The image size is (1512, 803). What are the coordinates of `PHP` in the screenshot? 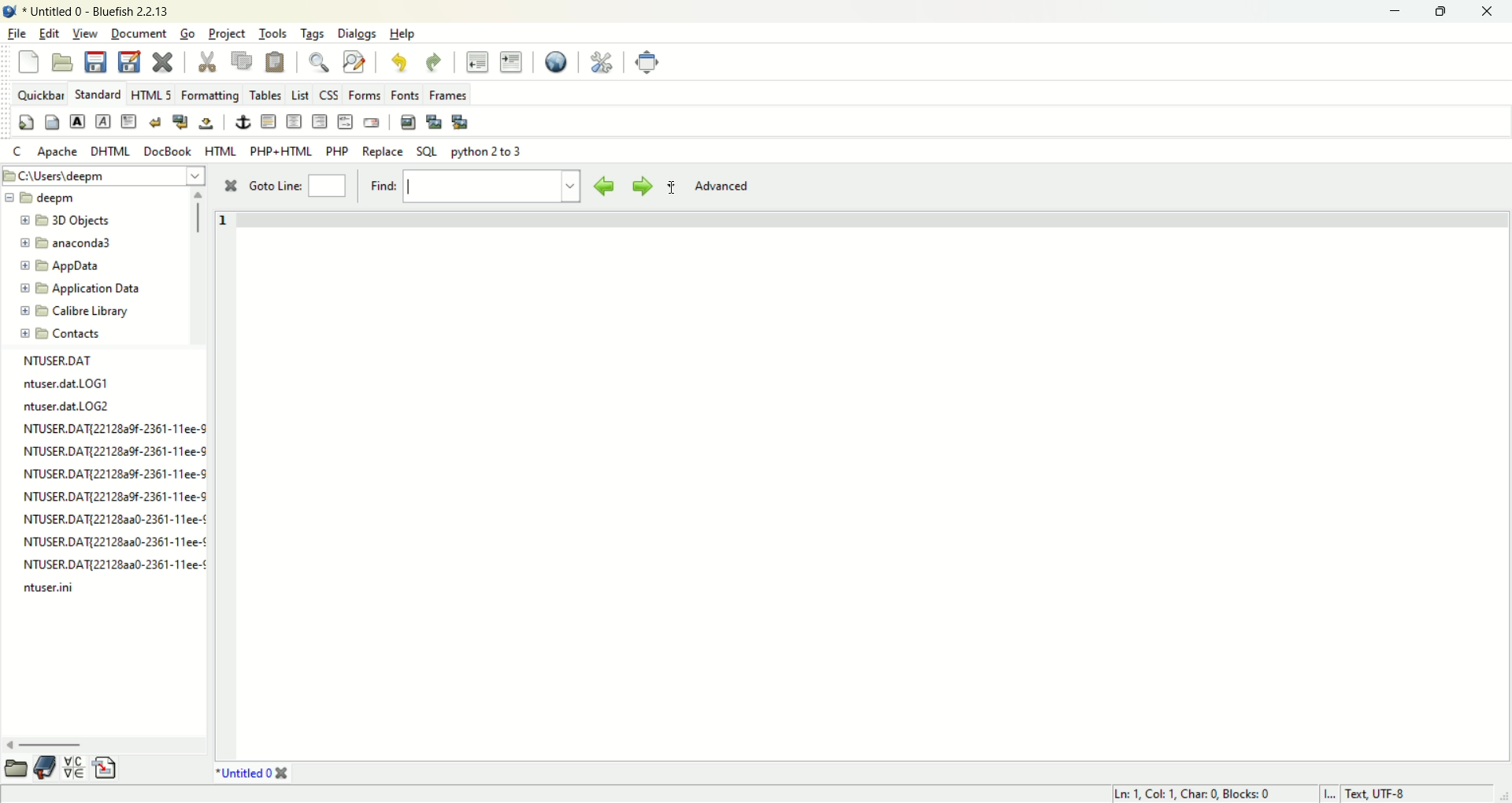 It's located at (339, 149).